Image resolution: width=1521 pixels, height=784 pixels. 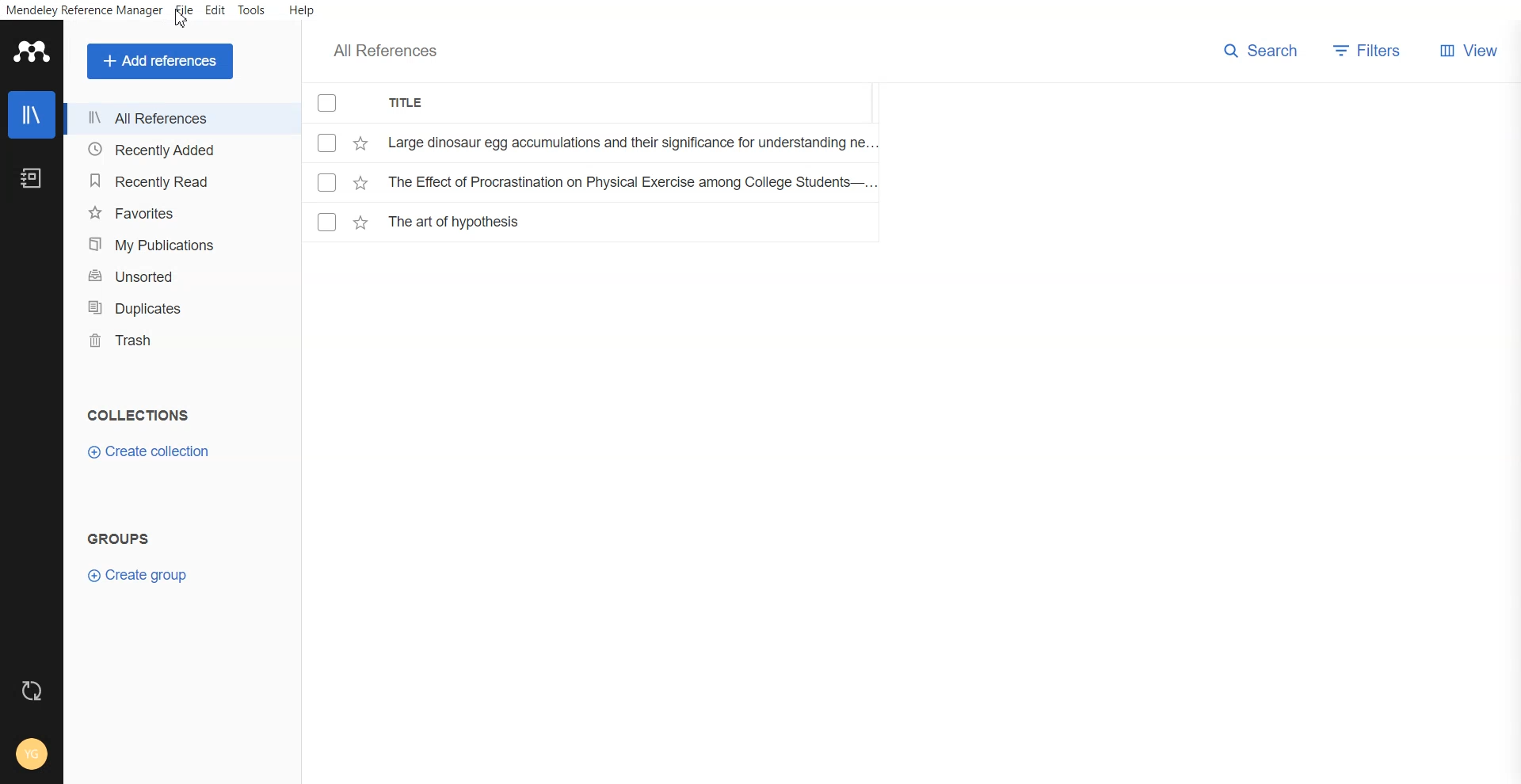 What do you see at coordinates (360, 143) in the screenshot?
I see `Starred` at bounding box center [360, 143].